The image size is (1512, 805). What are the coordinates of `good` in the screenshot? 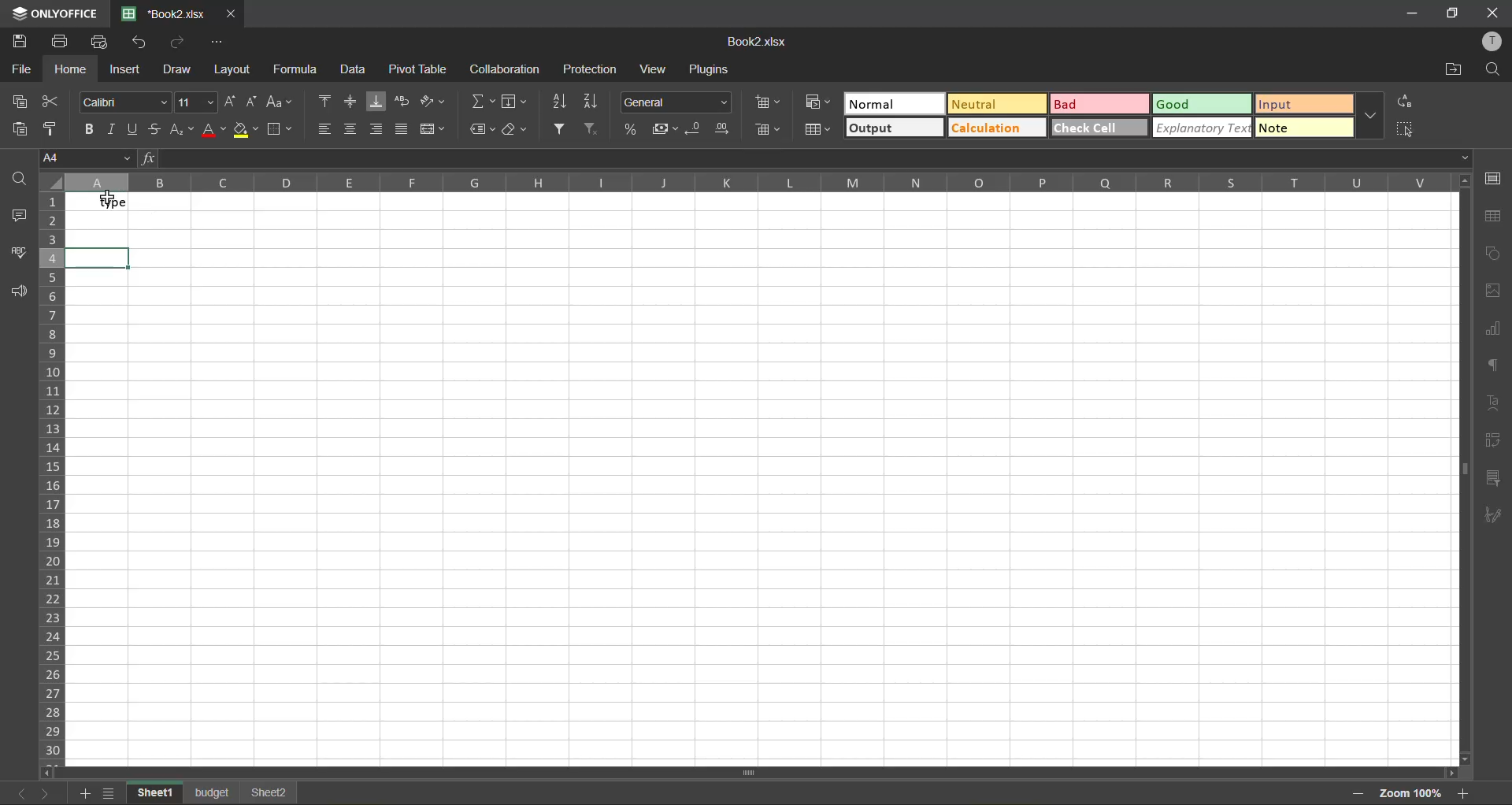 It's located at (1206, 106).